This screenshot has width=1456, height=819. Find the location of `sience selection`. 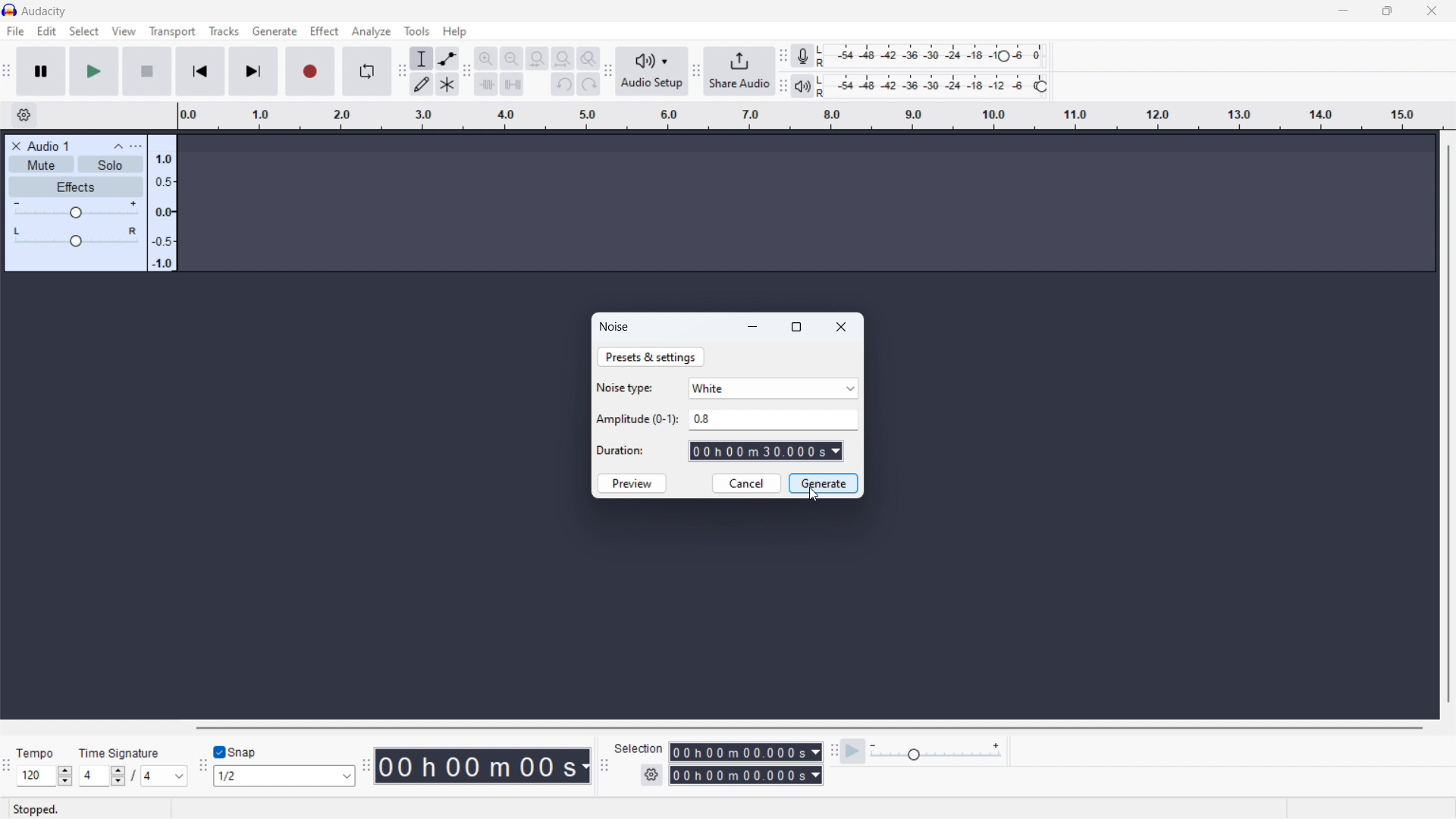

sience selection is located at coordinates (513, 83).